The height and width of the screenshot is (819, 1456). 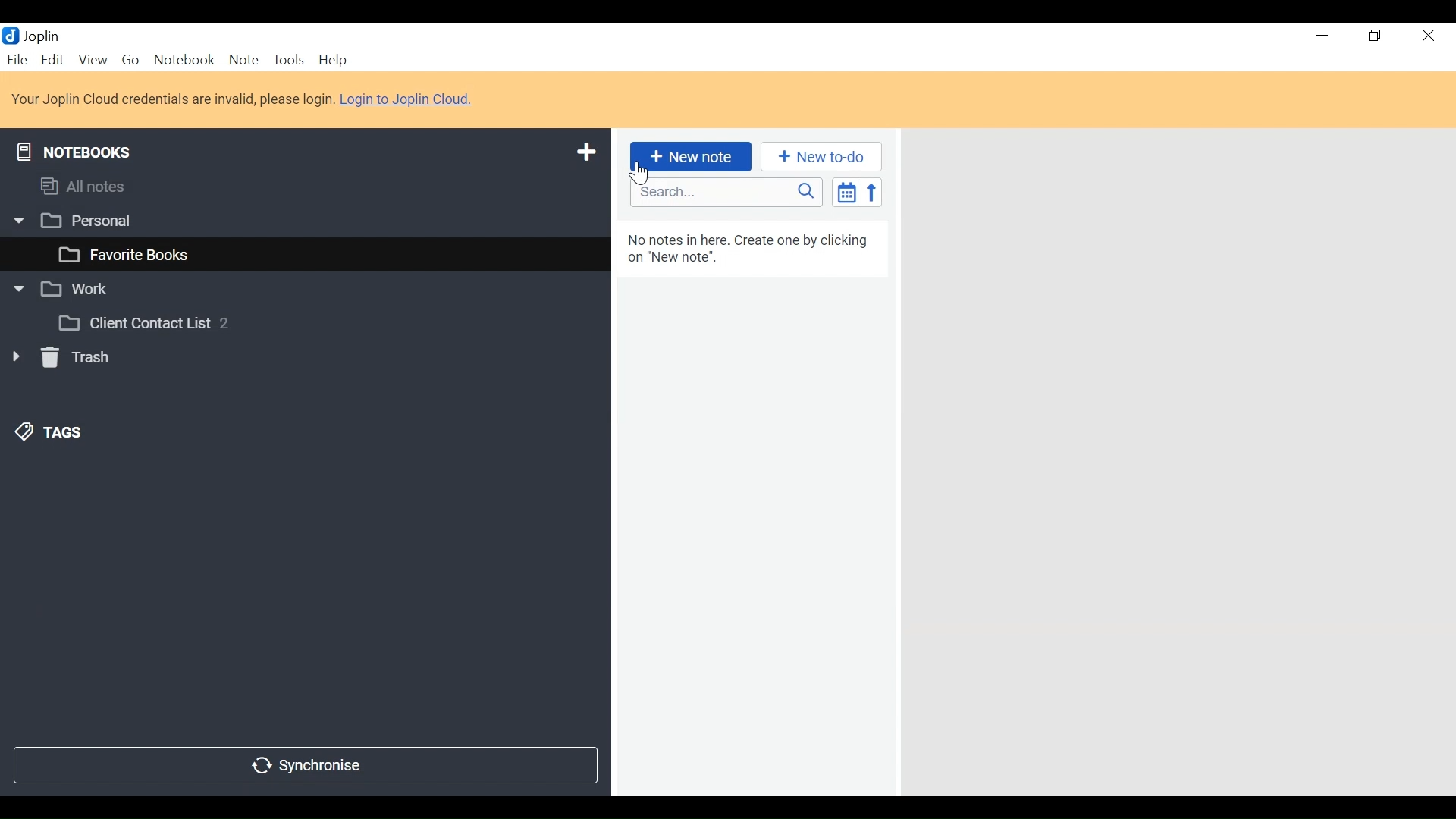 I want to click on Reverse sort order, so click(x=872, y=193).